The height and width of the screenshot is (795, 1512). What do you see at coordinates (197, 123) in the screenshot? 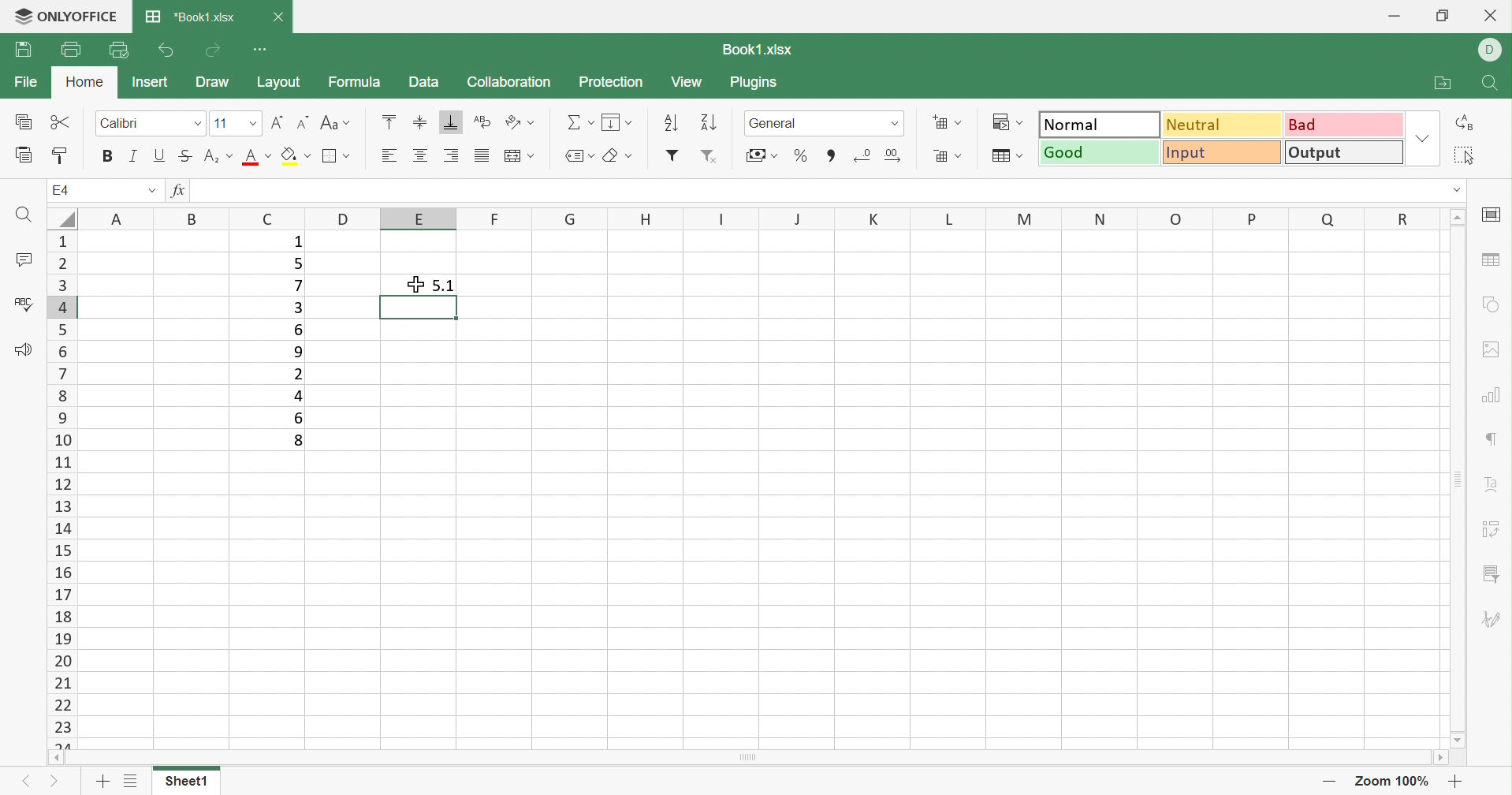
I see `Drop Down` at bounding box center [197, 123].